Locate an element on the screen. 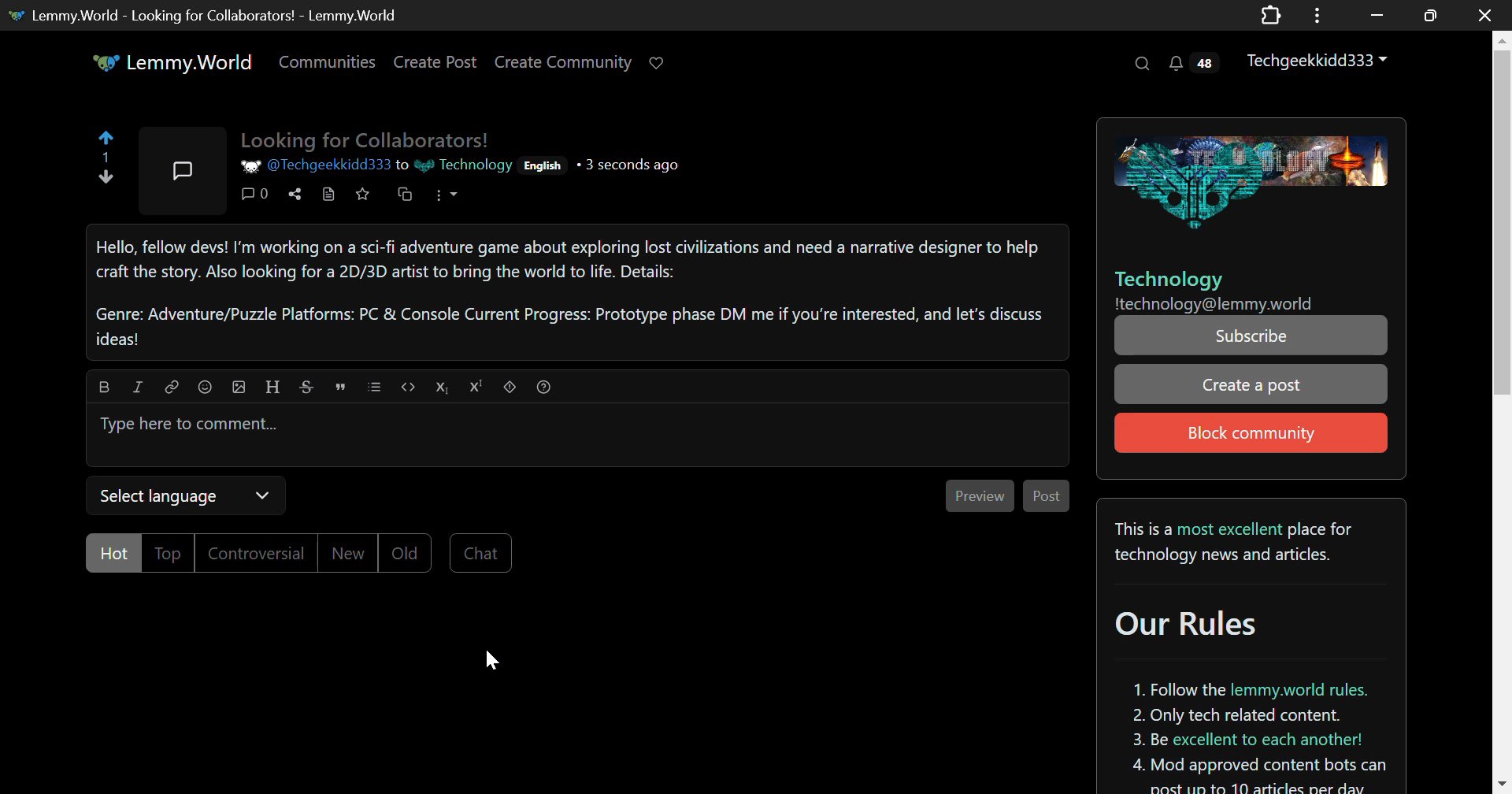 This screenshot has height=794, width=1512. emoji is located at coordinates (203, 386).